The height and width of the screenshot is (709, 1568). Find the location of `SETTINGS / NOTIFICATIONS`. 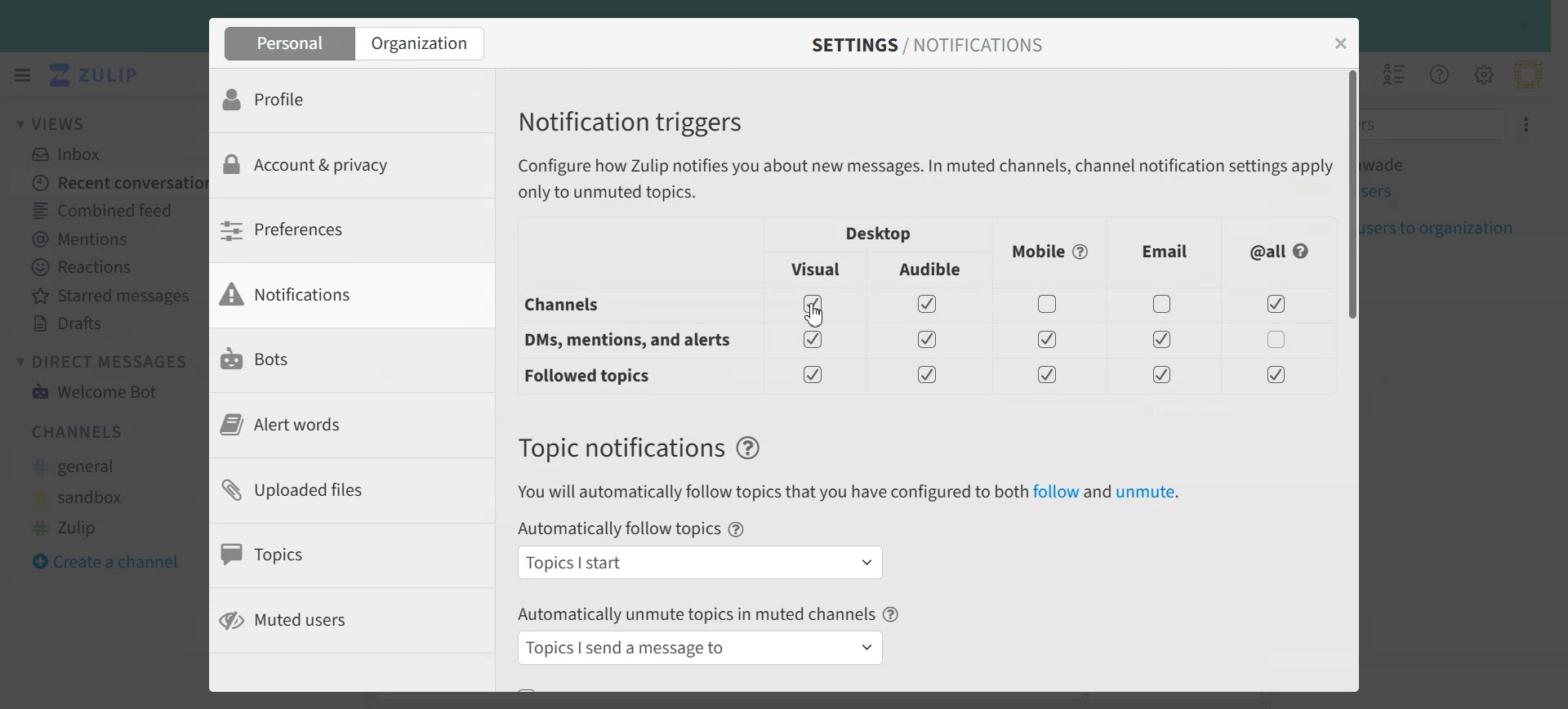

SETTINGS / NOTIFICATIONS is located at coordinates (925, 45).